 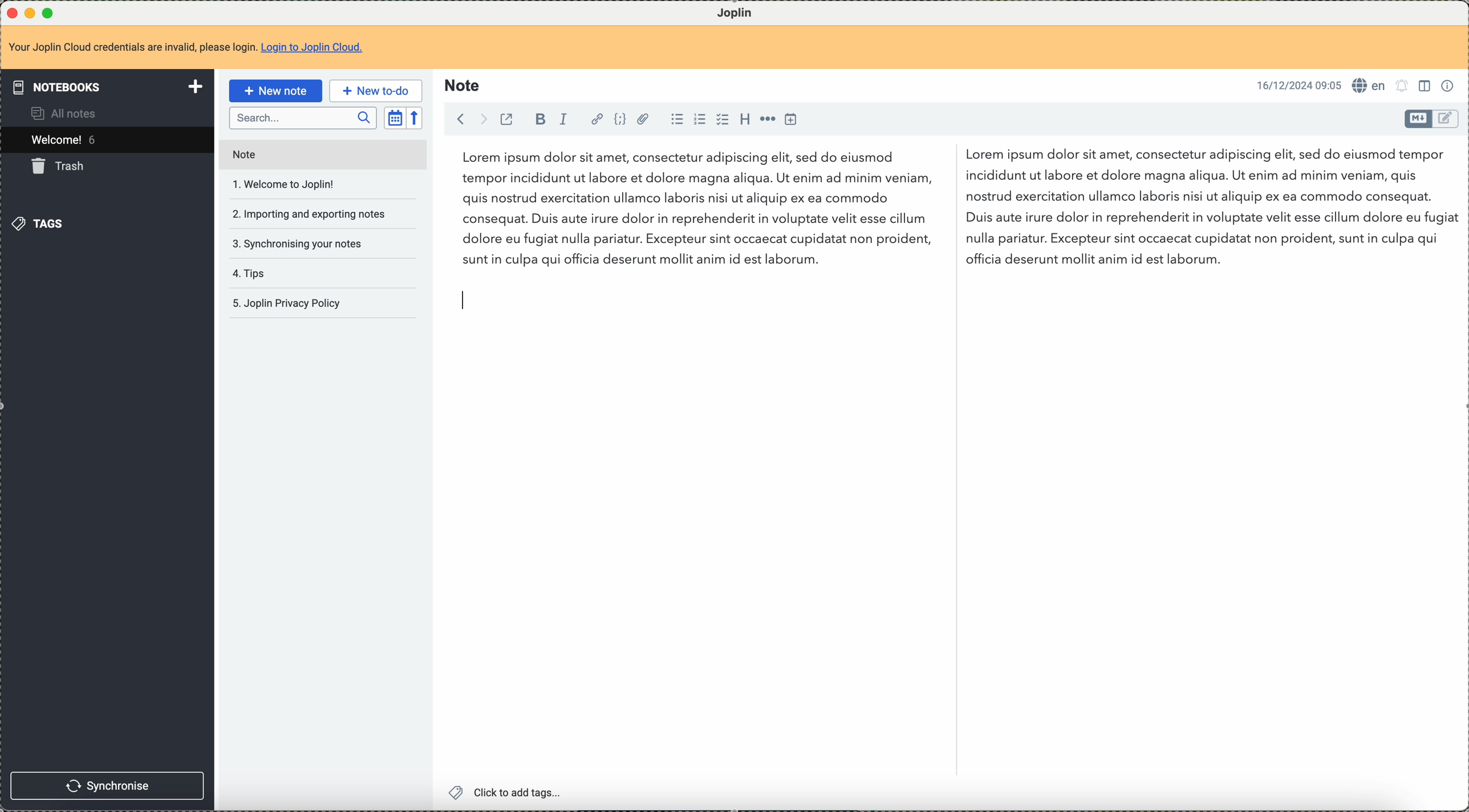 I want to click on en, so click(x=1371, y=86).